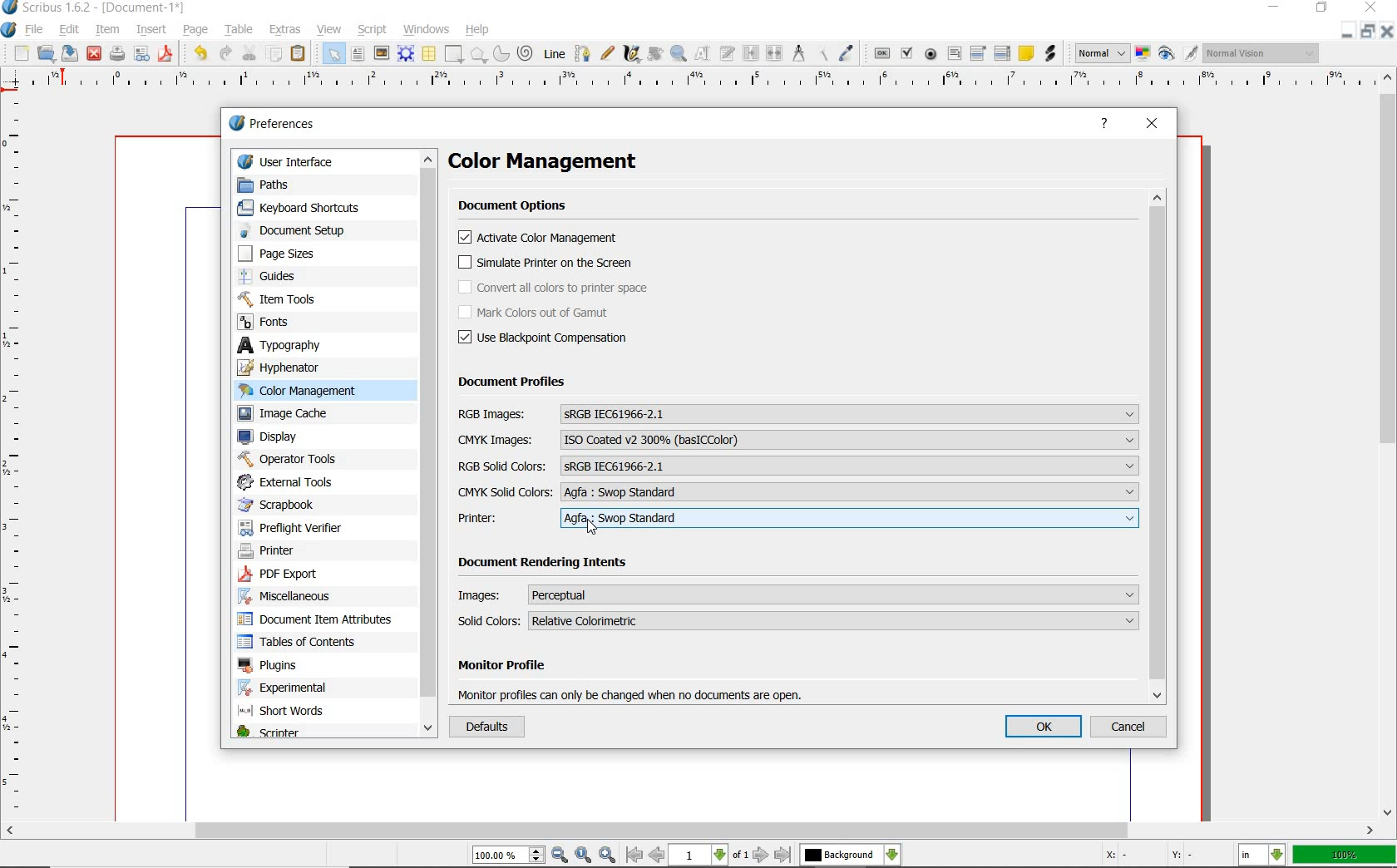 The height and width of the screenshot is (868, 1397). What do you see at coordinates (301, 55) in the screenshot?
I see `paste` at bounding box center [301, 55].